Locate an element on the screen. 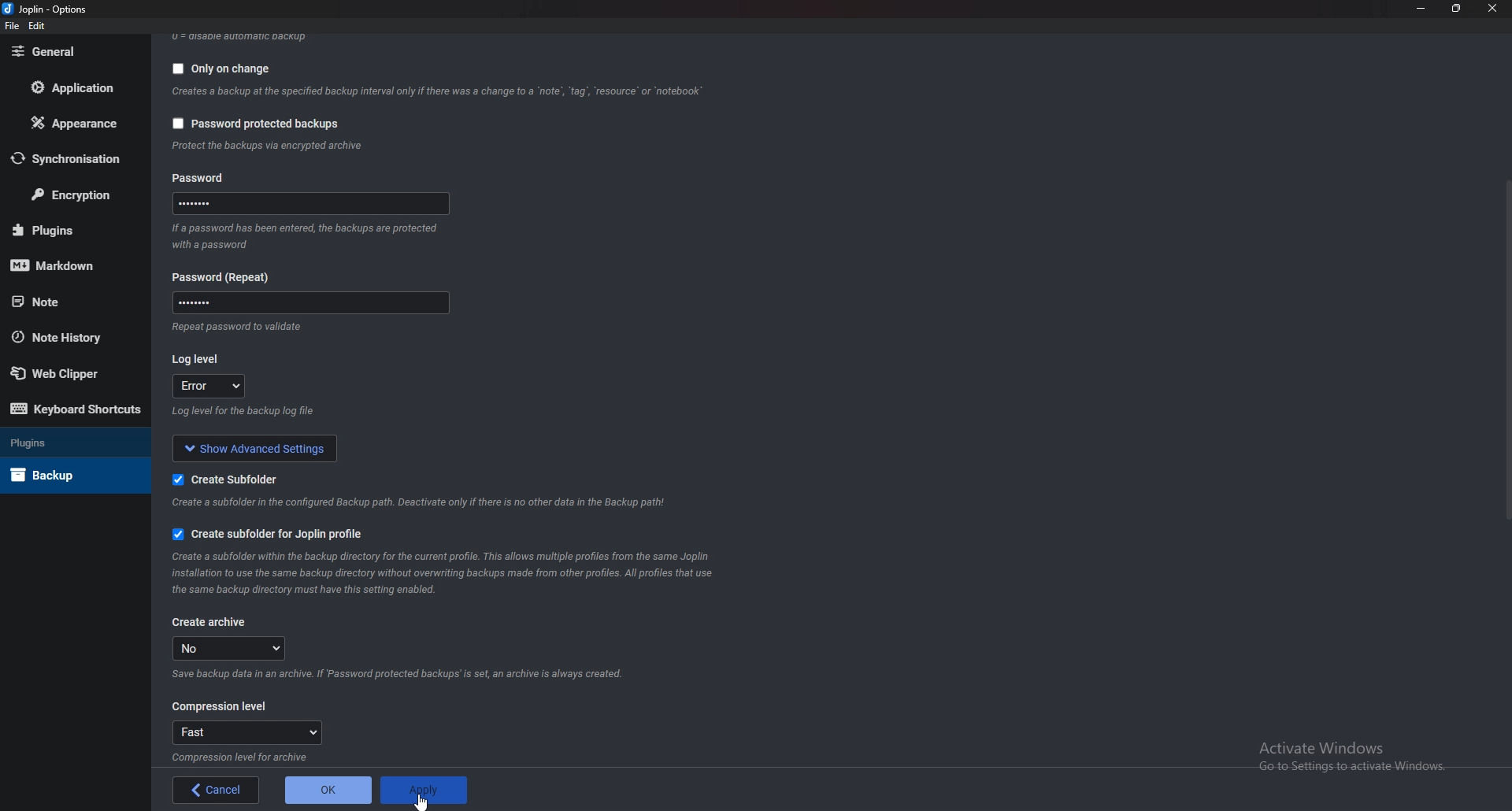  Password protected backups is located at coordinates (258, 125).